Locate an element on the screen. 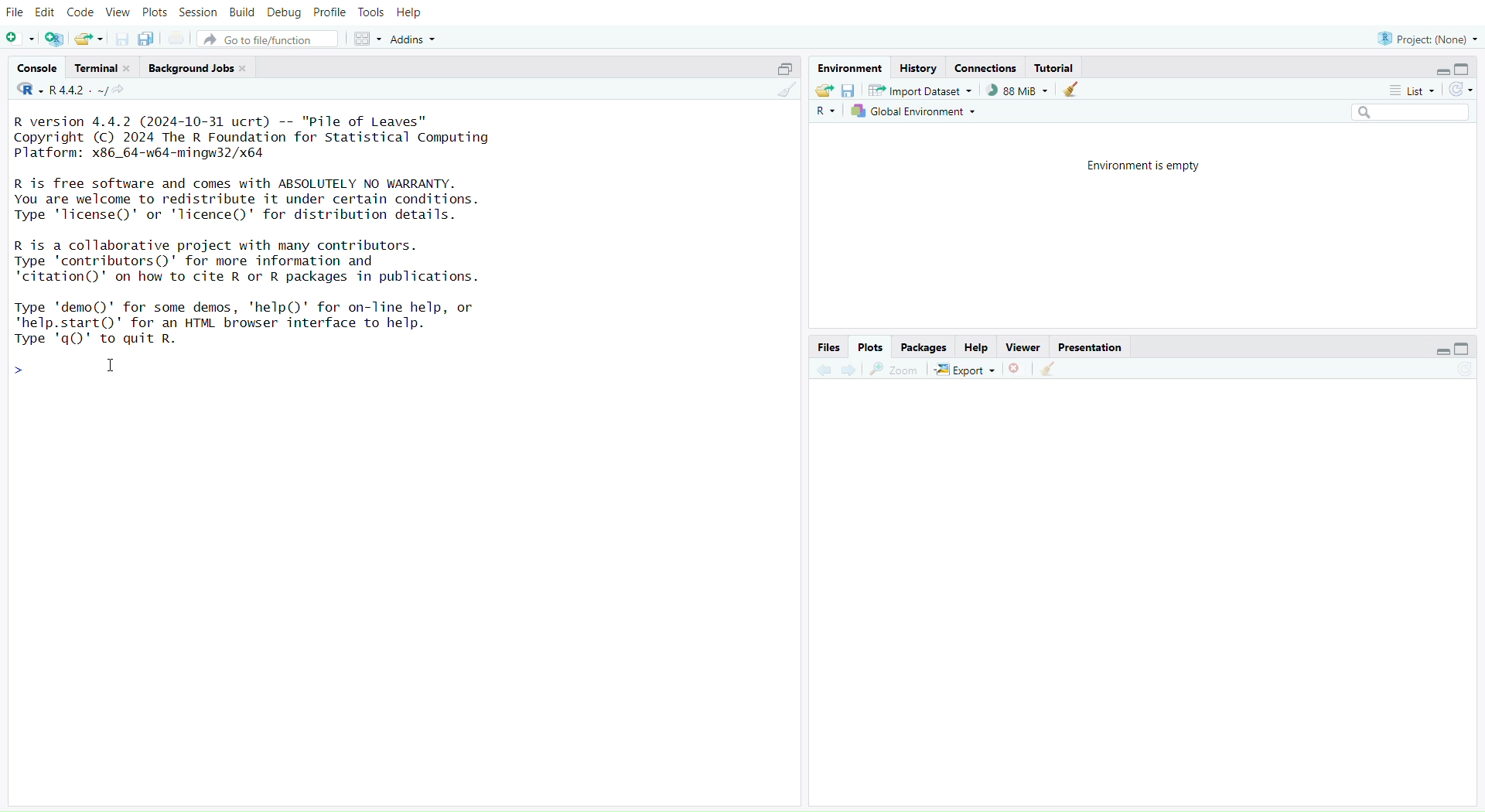  file is located at coordinates (18, 12).